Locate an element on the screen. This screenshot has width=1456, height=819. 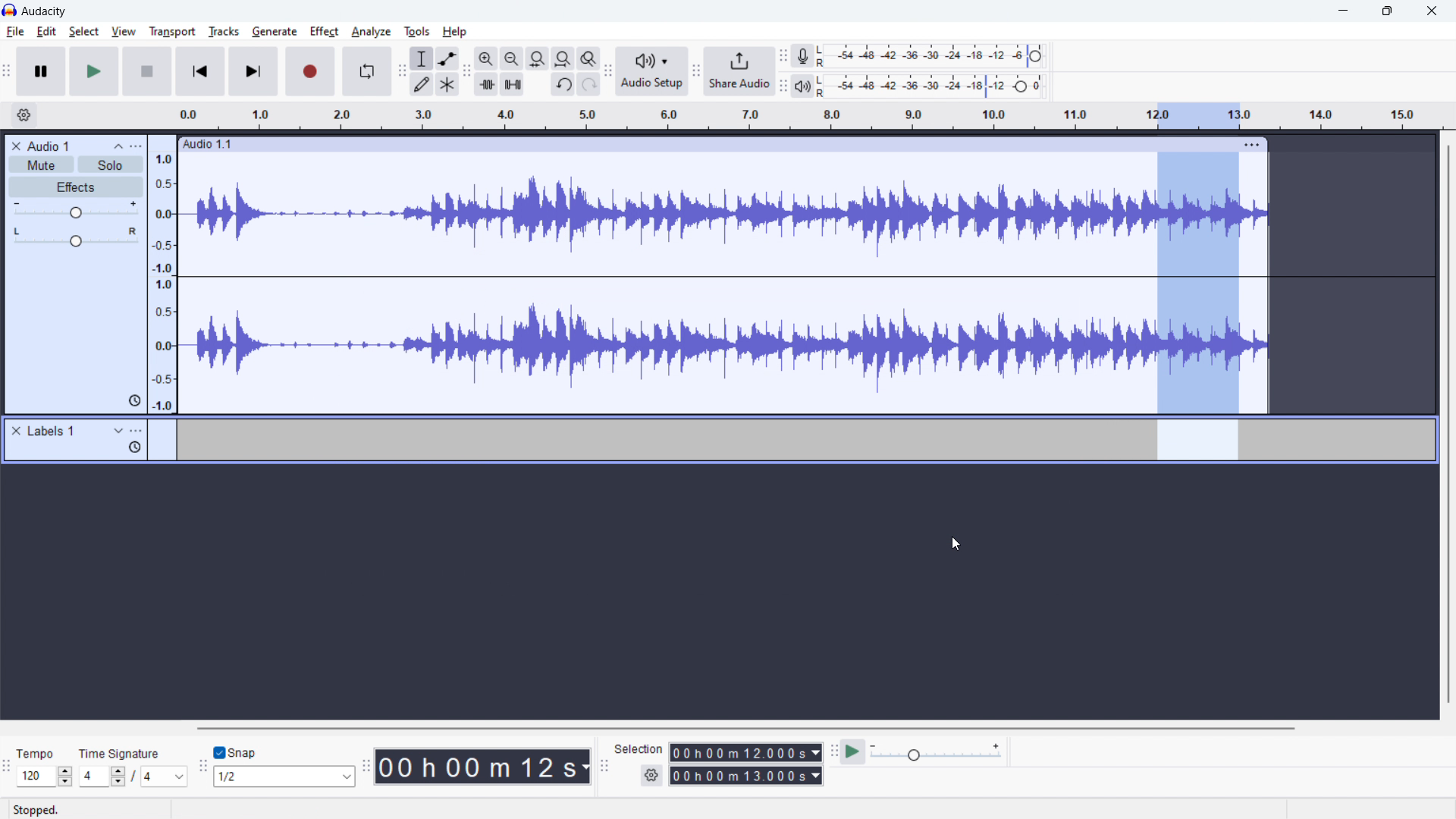
Audacity is located at coordinates (47, 11).